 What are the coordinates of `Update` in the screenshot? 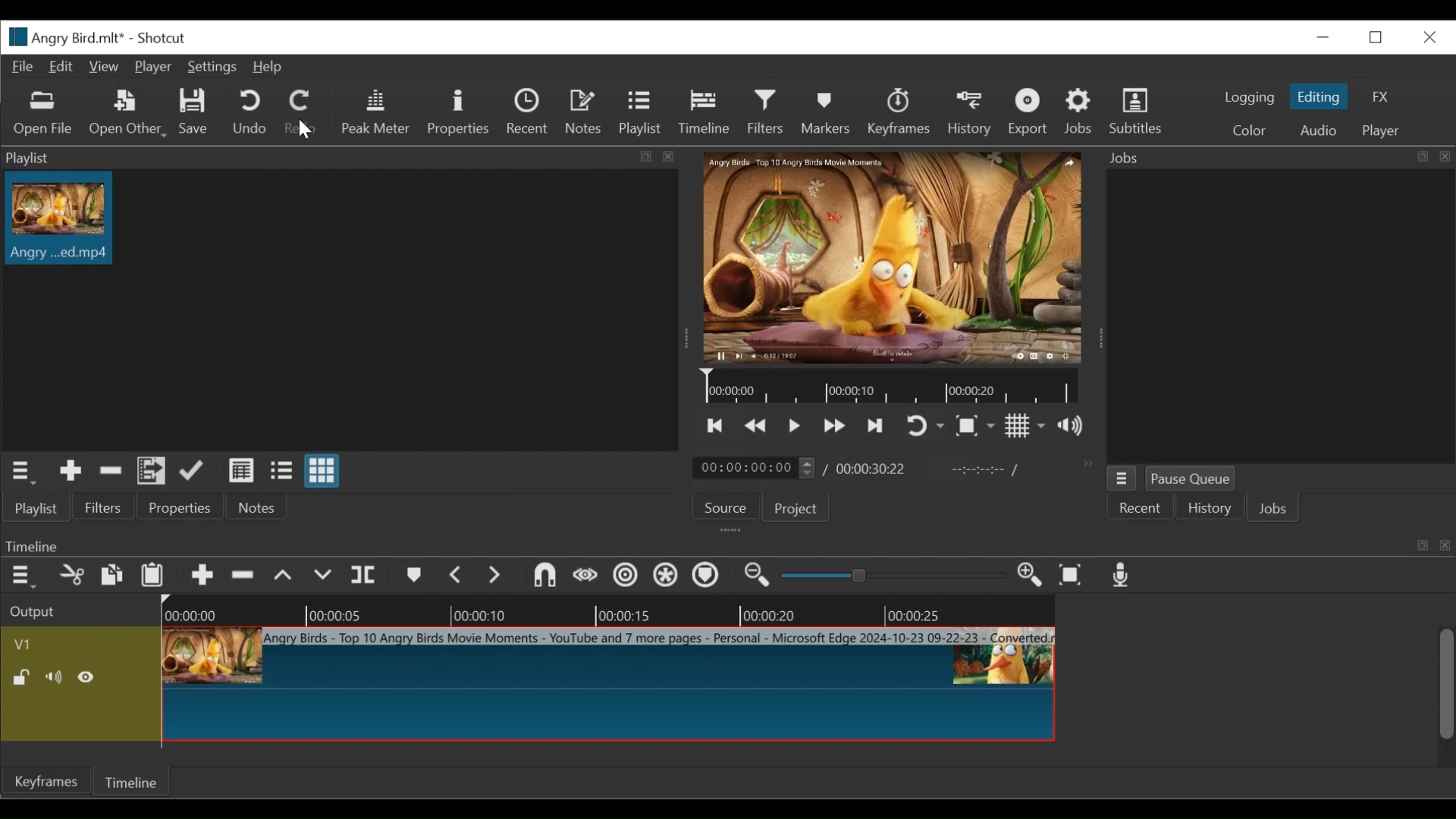 It's located at (192, 470).